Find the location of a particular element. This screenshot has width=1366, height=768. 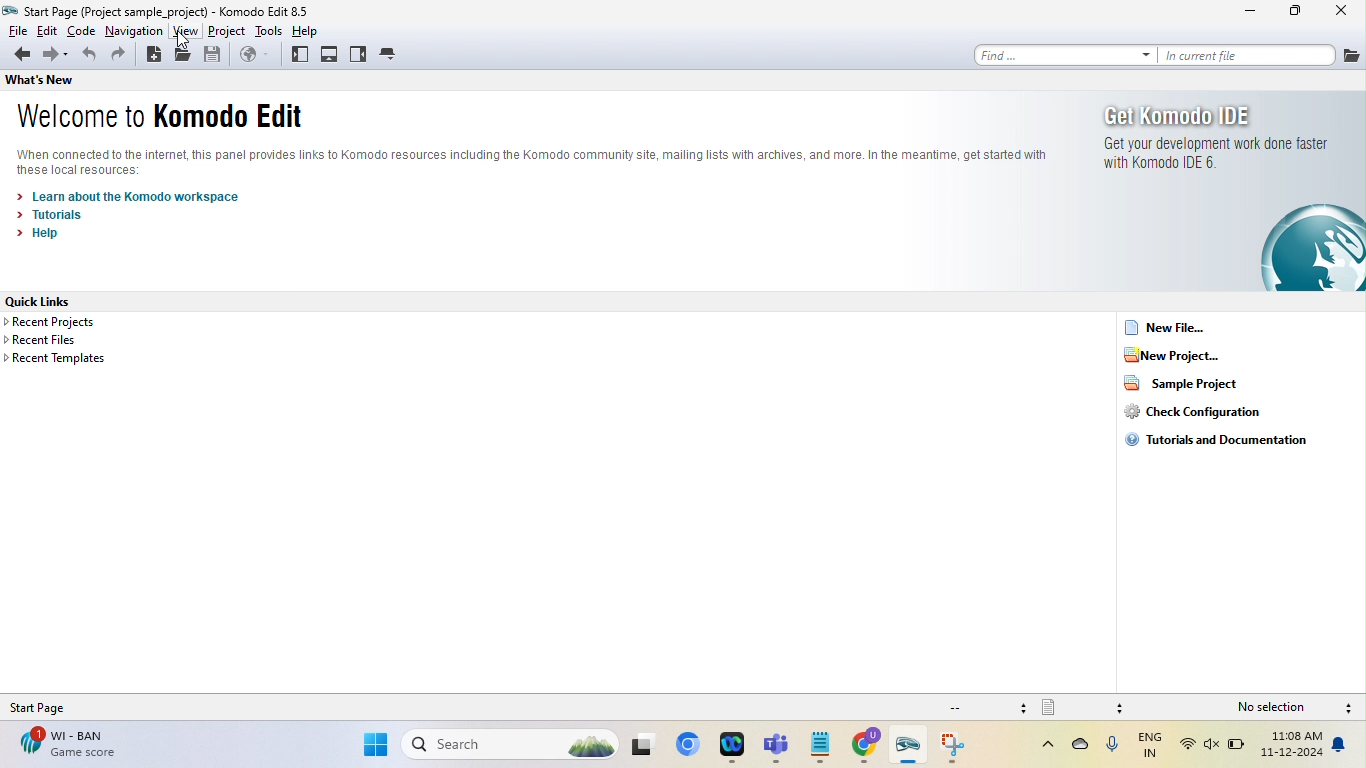

start page is located at coordinates (52, 707).